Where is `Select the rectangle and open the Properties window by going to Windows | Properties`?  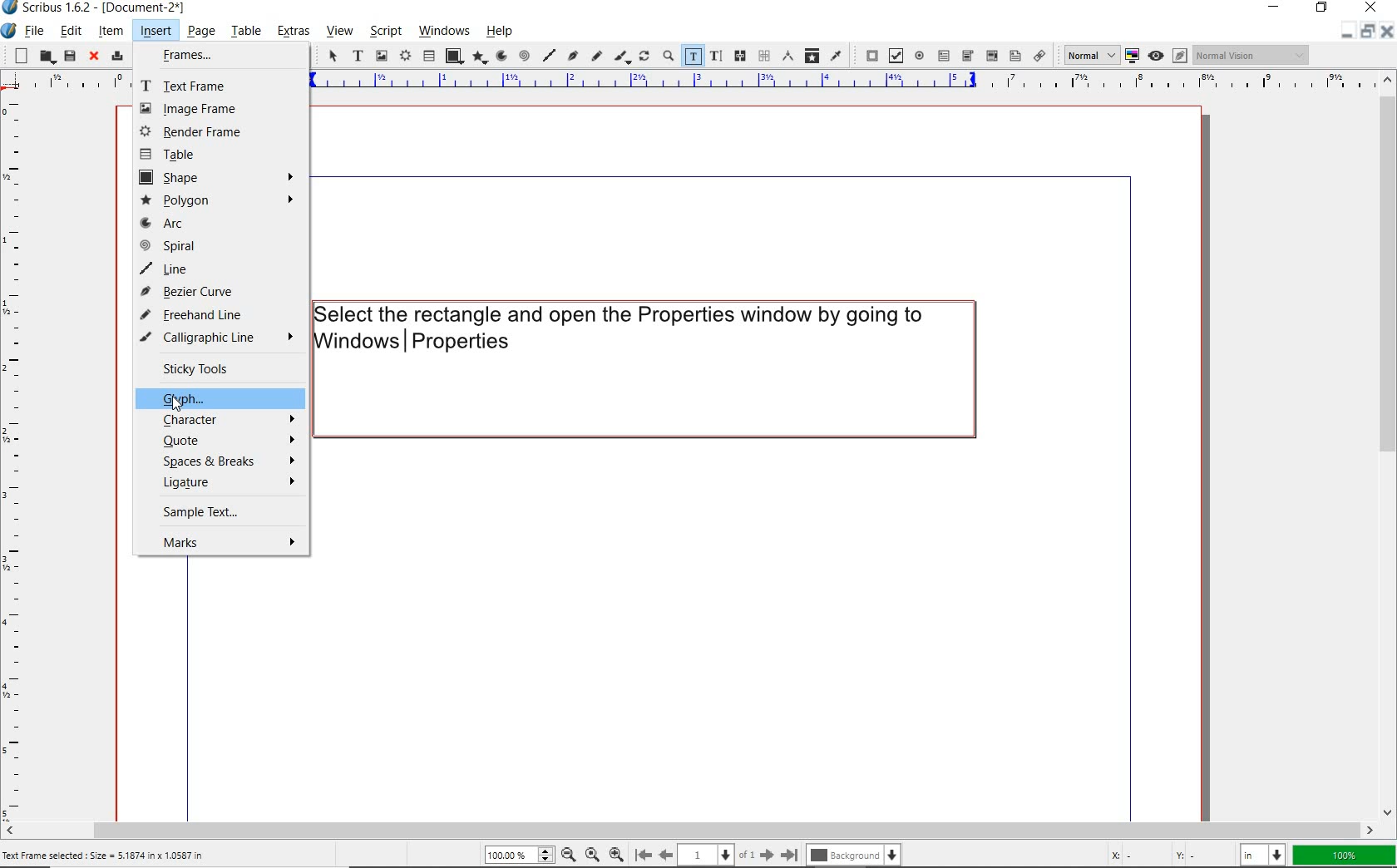
Select the rectangle and open the Properties window by going to Windows | Properties is located at coordinates (644, 368).